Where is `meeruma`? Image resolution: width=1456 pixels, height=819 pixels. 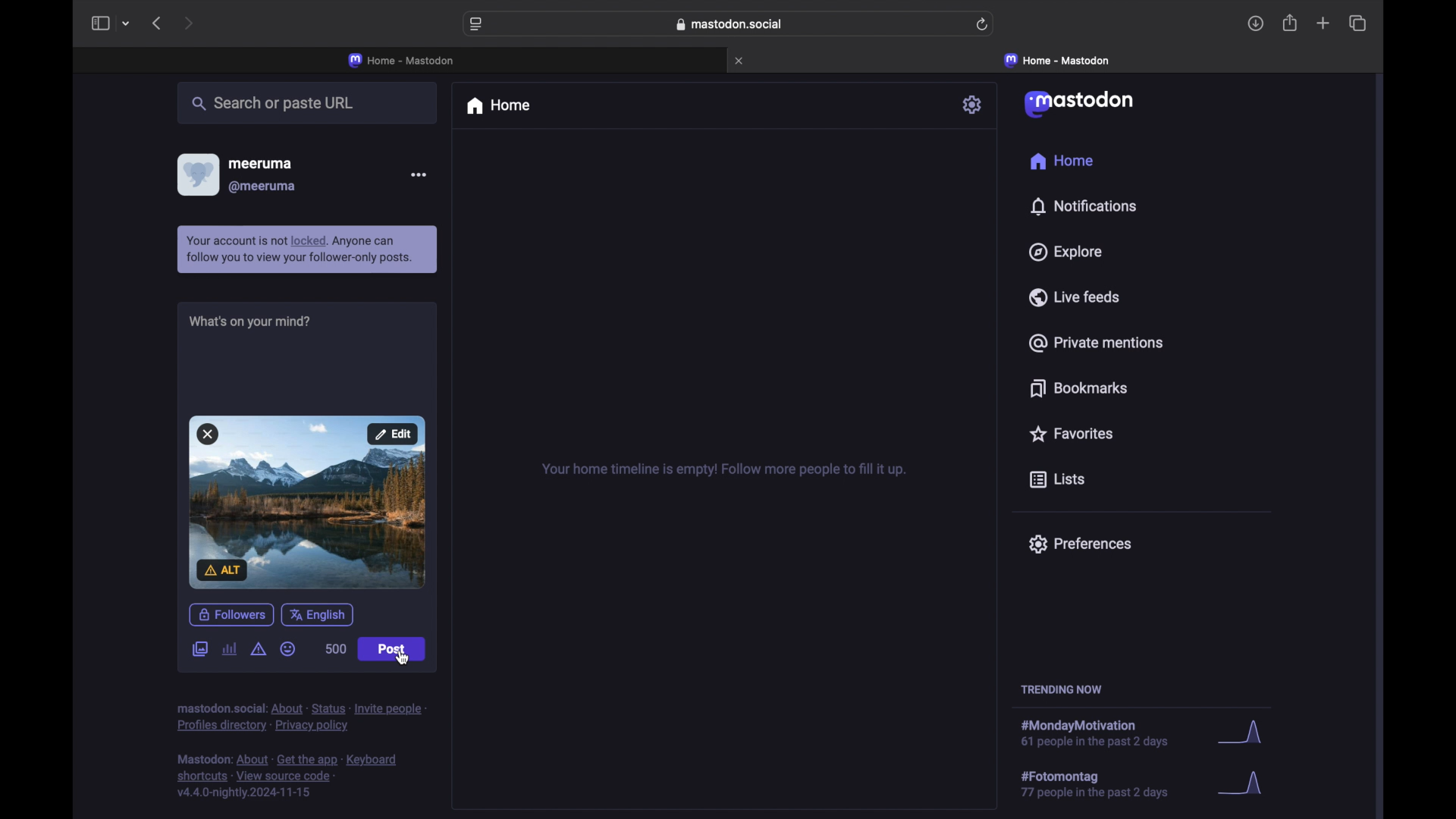
meeruma is located at coordinates (264, 164).